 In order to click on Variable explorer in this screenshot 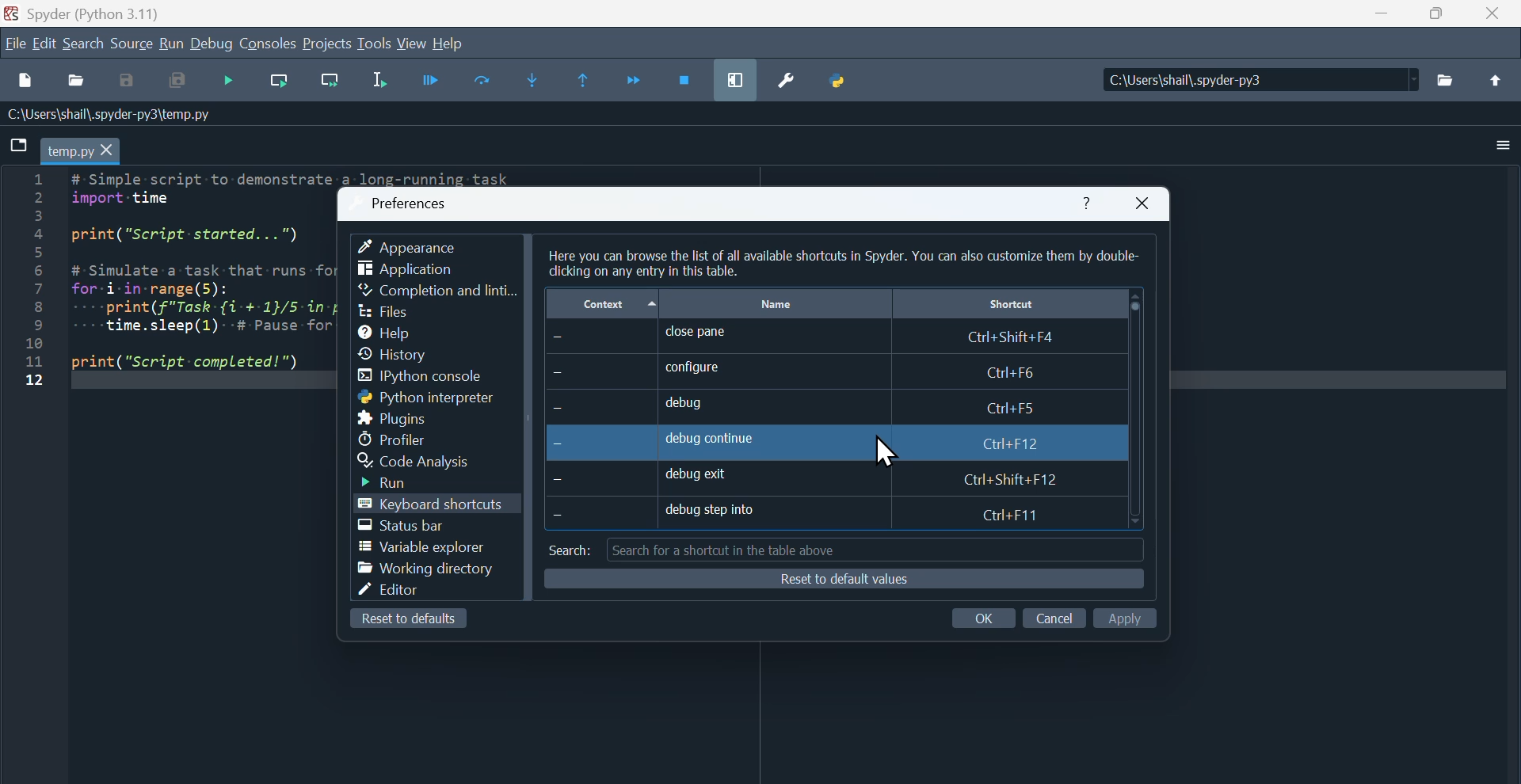, I will do `click(426, 549)`.